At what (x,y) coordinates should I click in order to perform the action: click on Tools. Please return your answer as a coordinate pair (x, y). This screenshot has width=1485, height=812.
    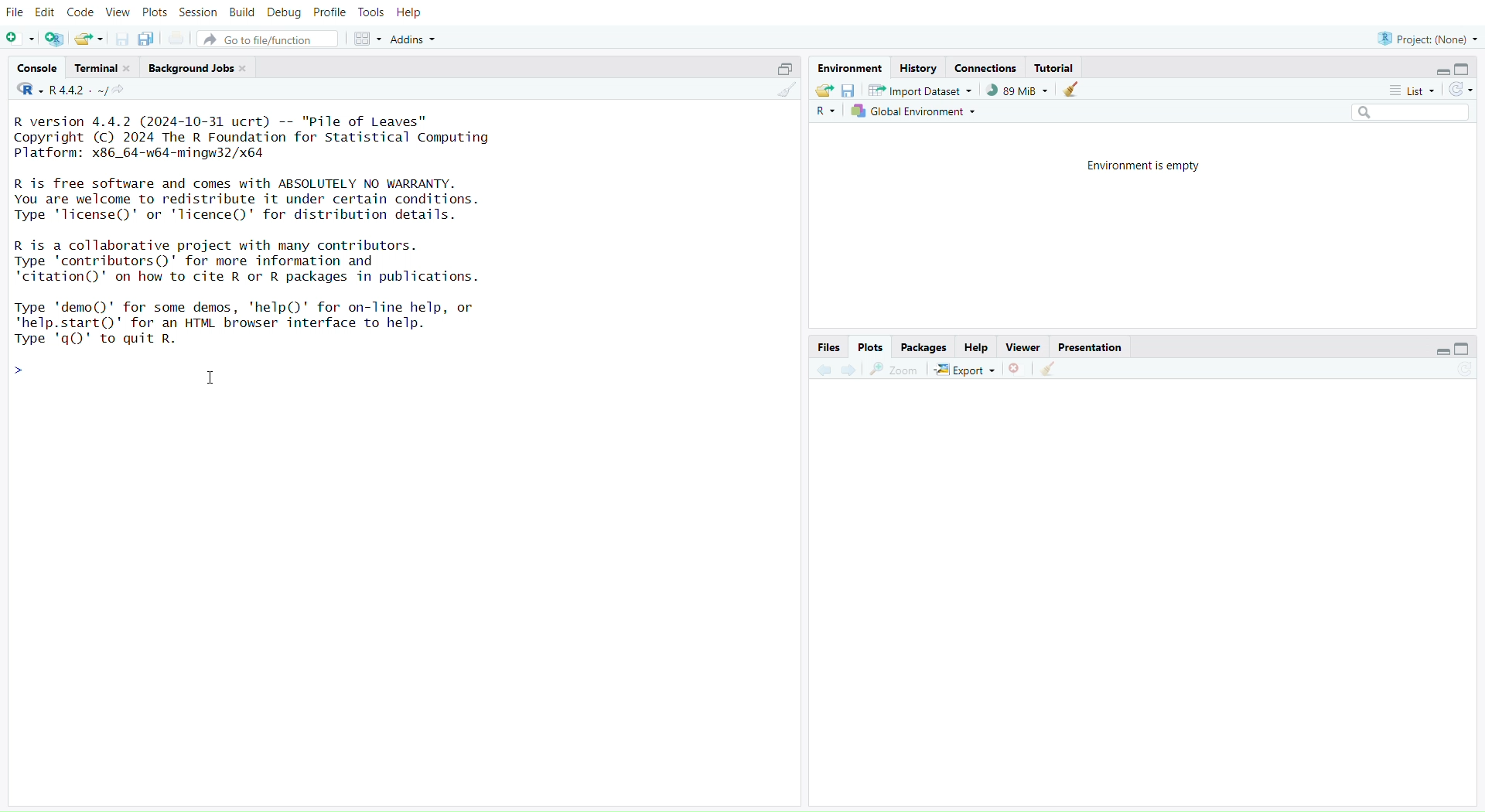
    Looking at the image, I should click on (375, 13).